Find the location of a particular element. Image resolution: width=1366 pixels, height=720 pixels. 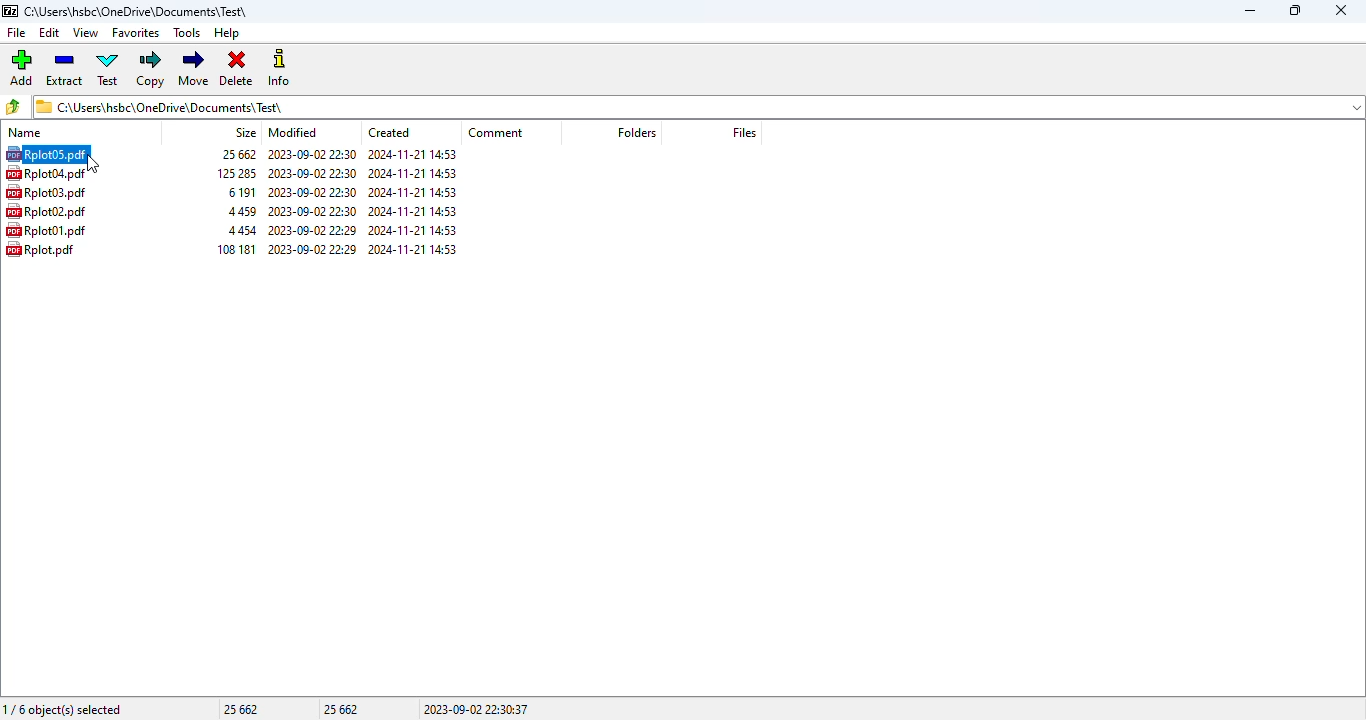

help is located at coordinates (227, 33).